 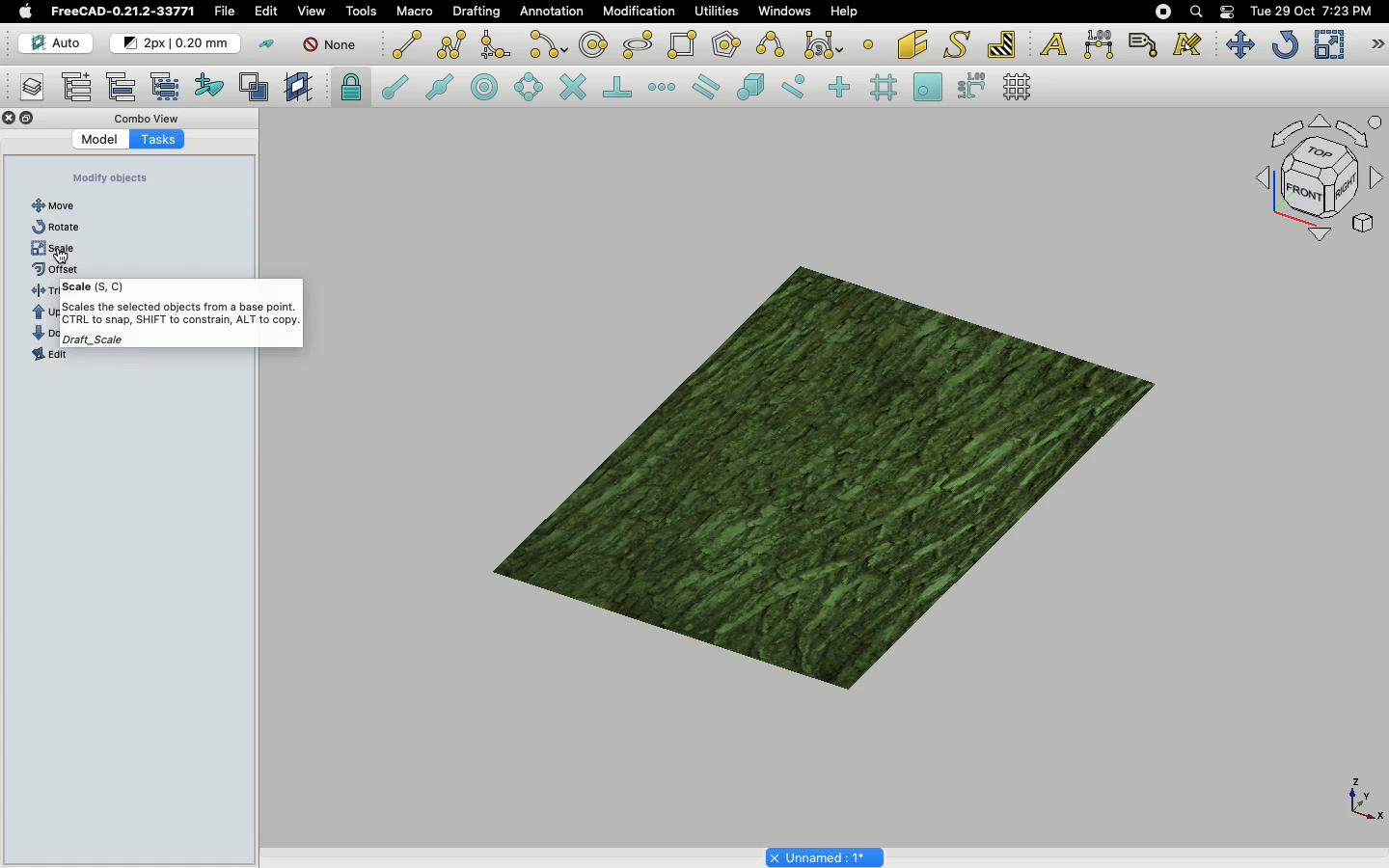 I want to click on Help, so click(x=845, y=10).